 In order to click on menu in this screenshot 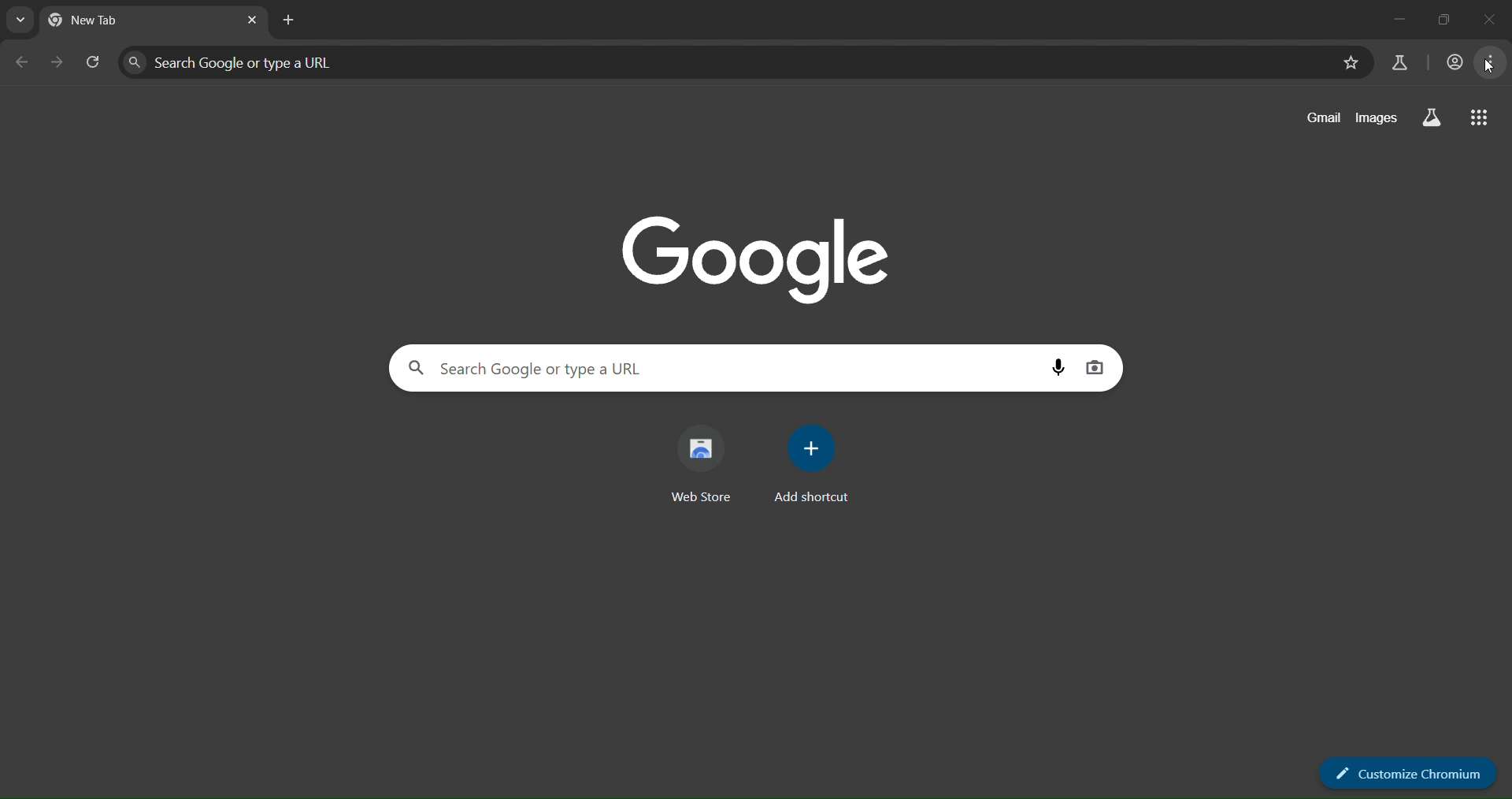, I will do `click(1492, 61)`.